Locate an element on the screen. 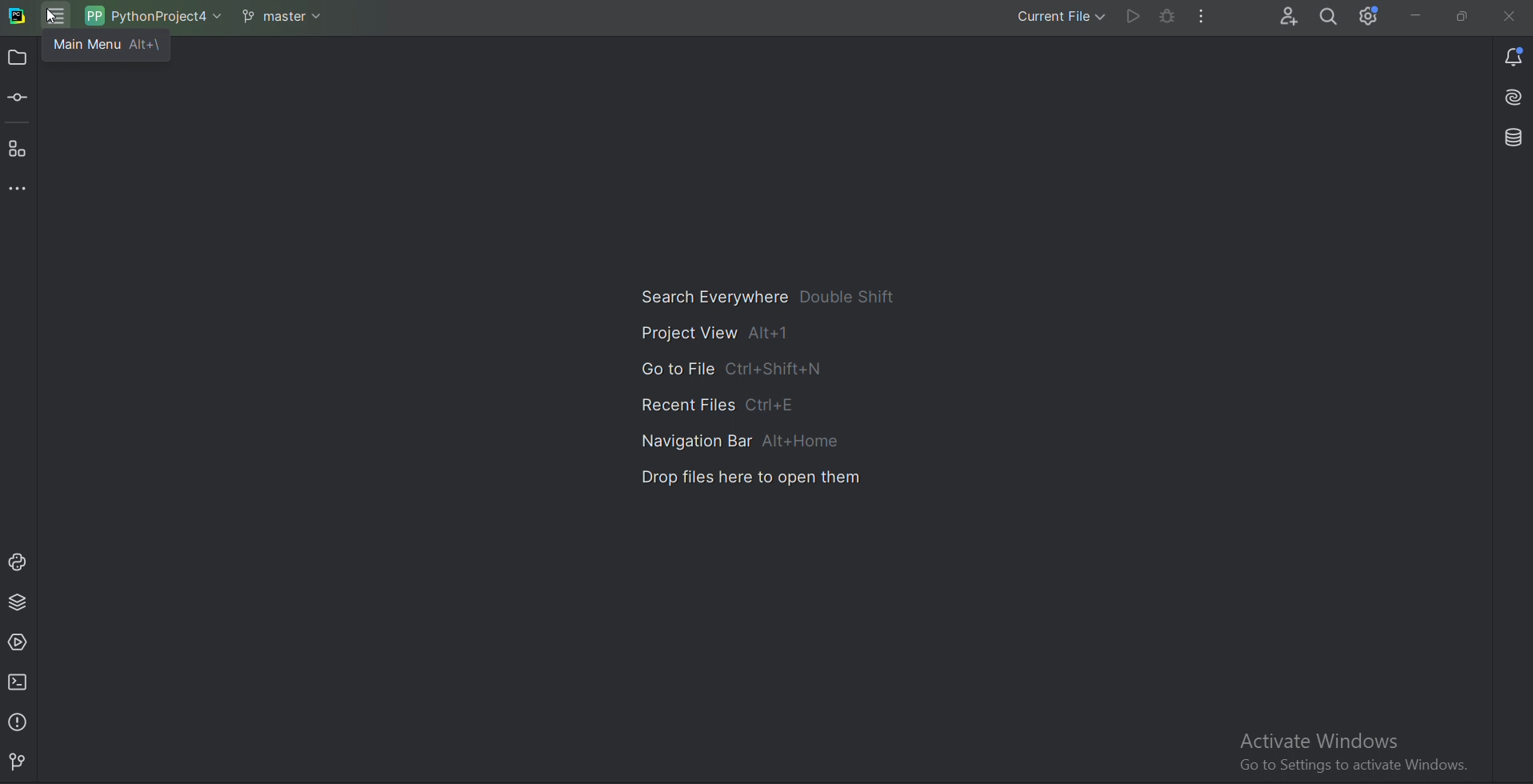  More Actions is located at coordinates (1206, 16).